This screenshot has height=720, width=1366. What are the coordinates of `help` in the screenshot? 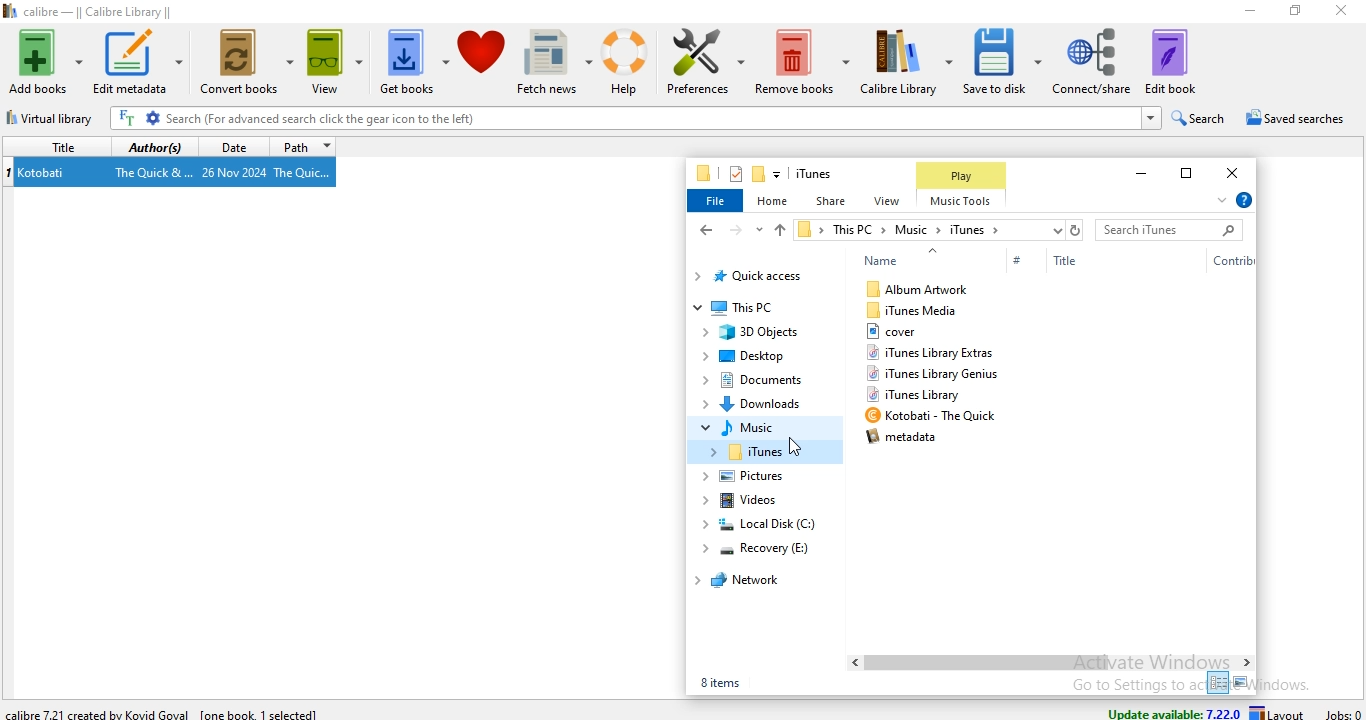 It's located at (624, 61).